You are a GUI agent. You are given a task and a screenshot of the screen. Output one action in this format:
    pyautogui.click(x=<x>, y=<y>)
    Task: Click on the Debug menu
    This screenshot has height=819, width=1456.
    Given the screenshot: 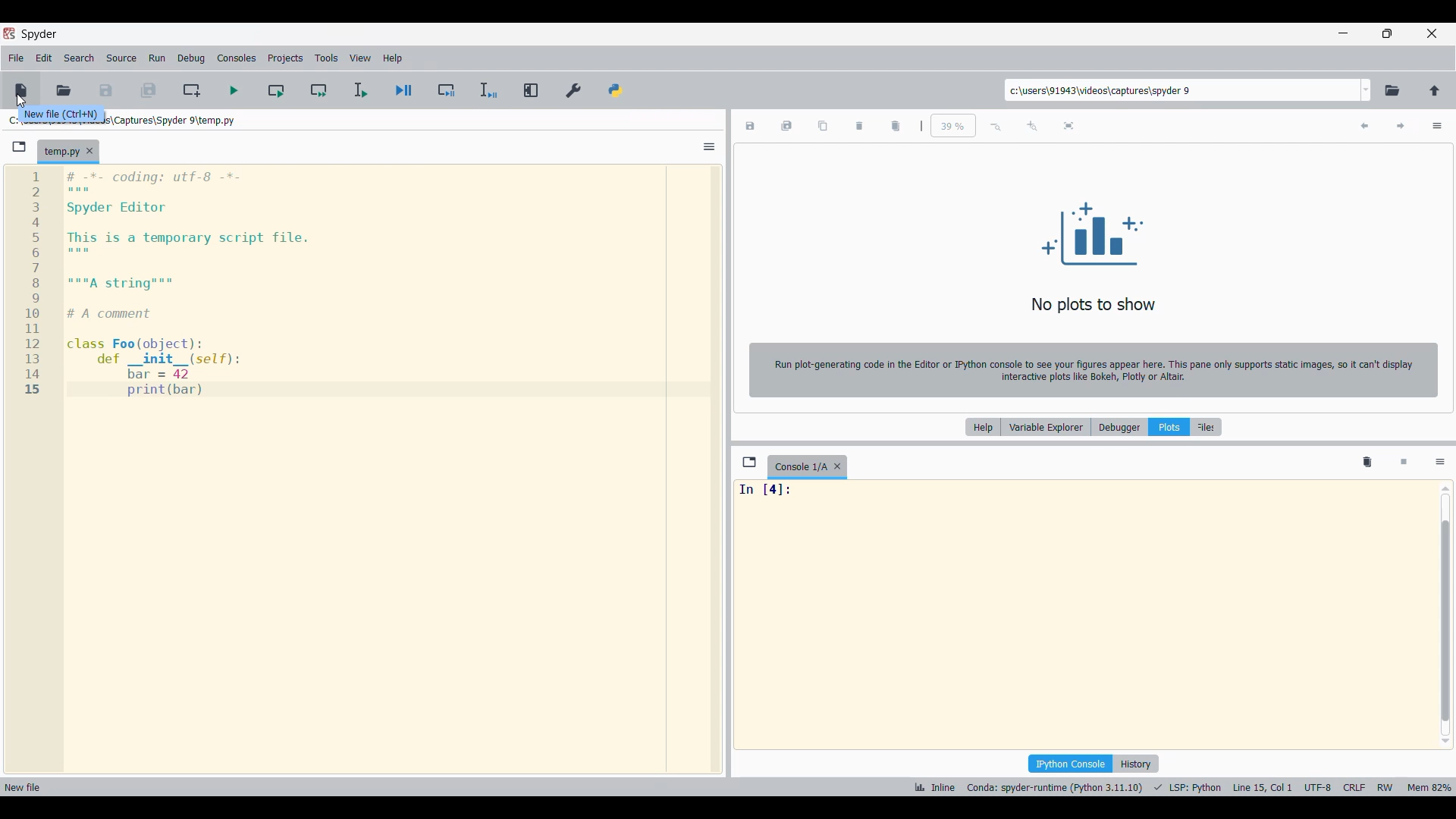 What is the action you would take?
    pyautogui.click(x=192, y=58)
    